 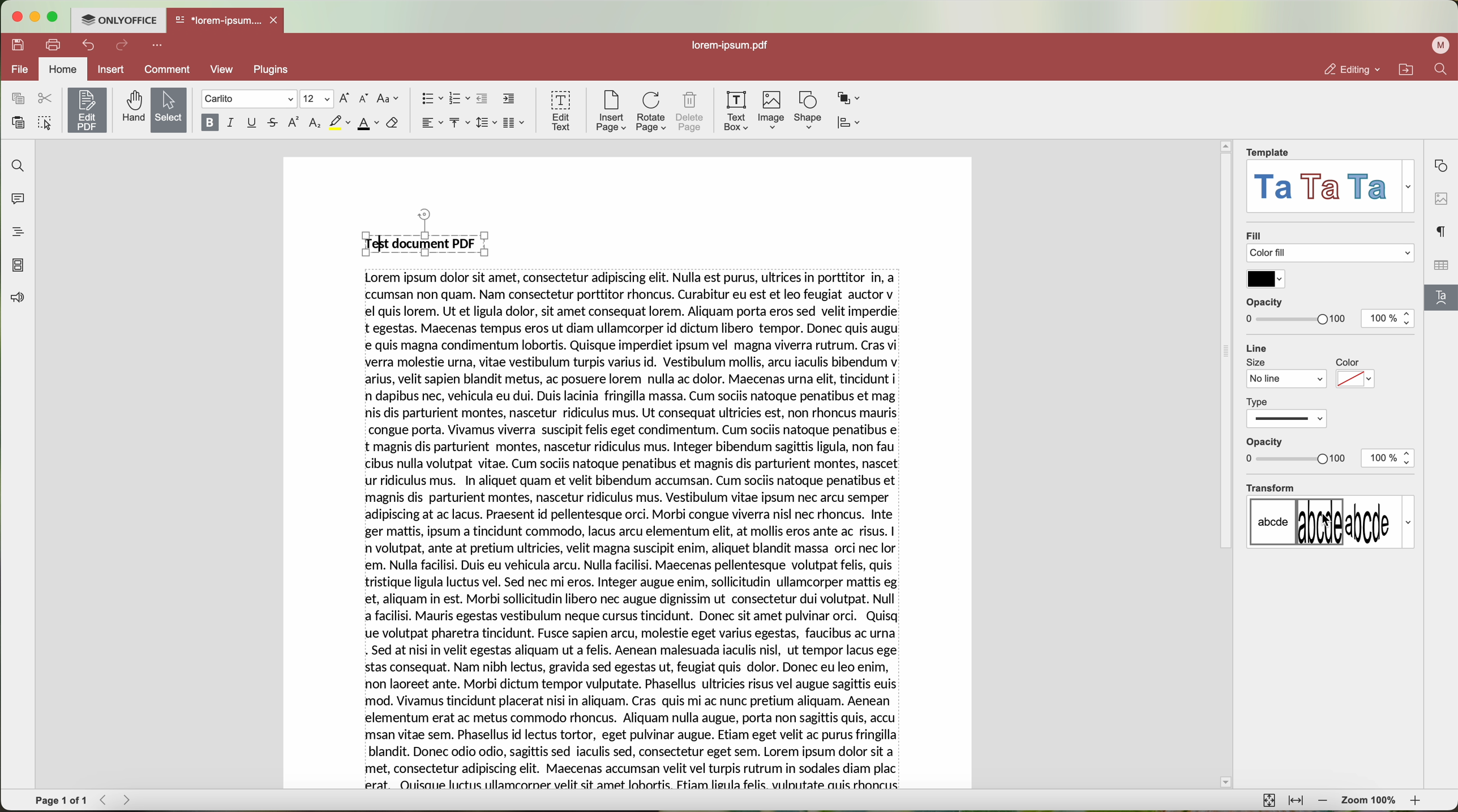 I want to click on increase indent, so click(x=509, y=99).